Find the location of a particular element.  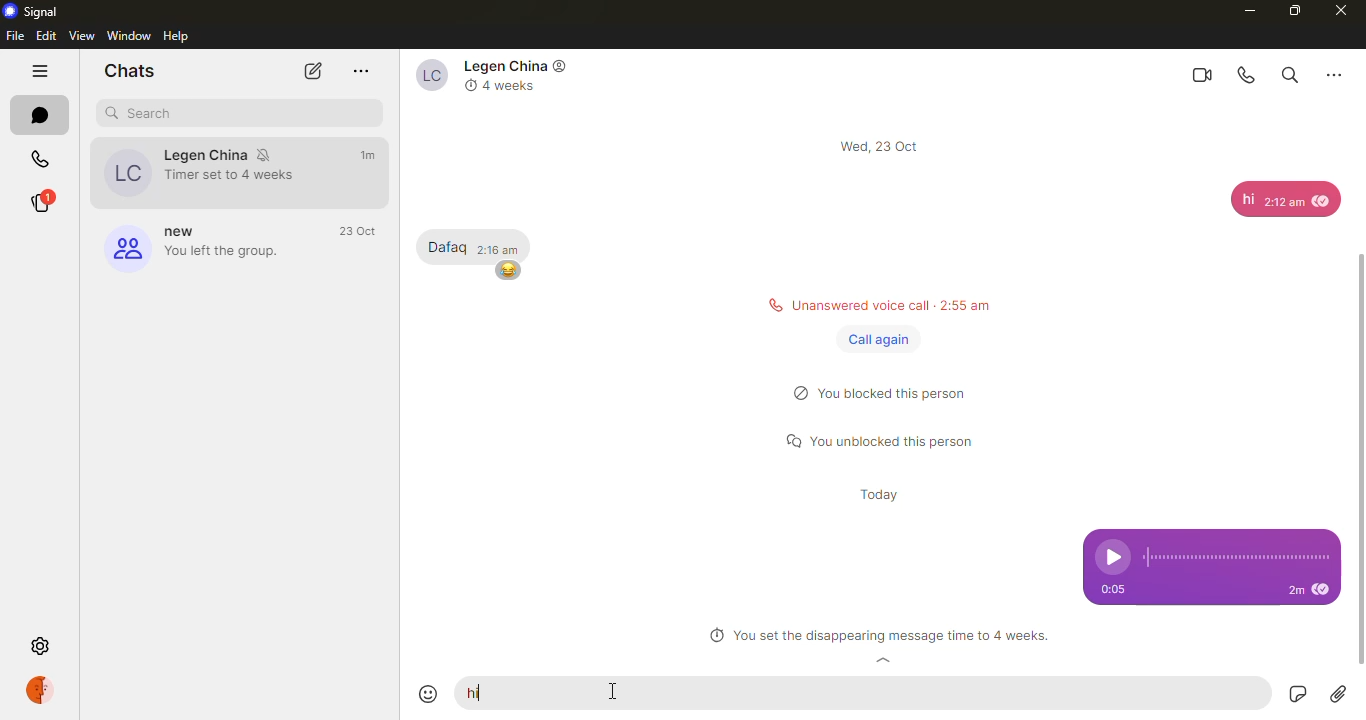

call again is located at coordinates (879, 340).